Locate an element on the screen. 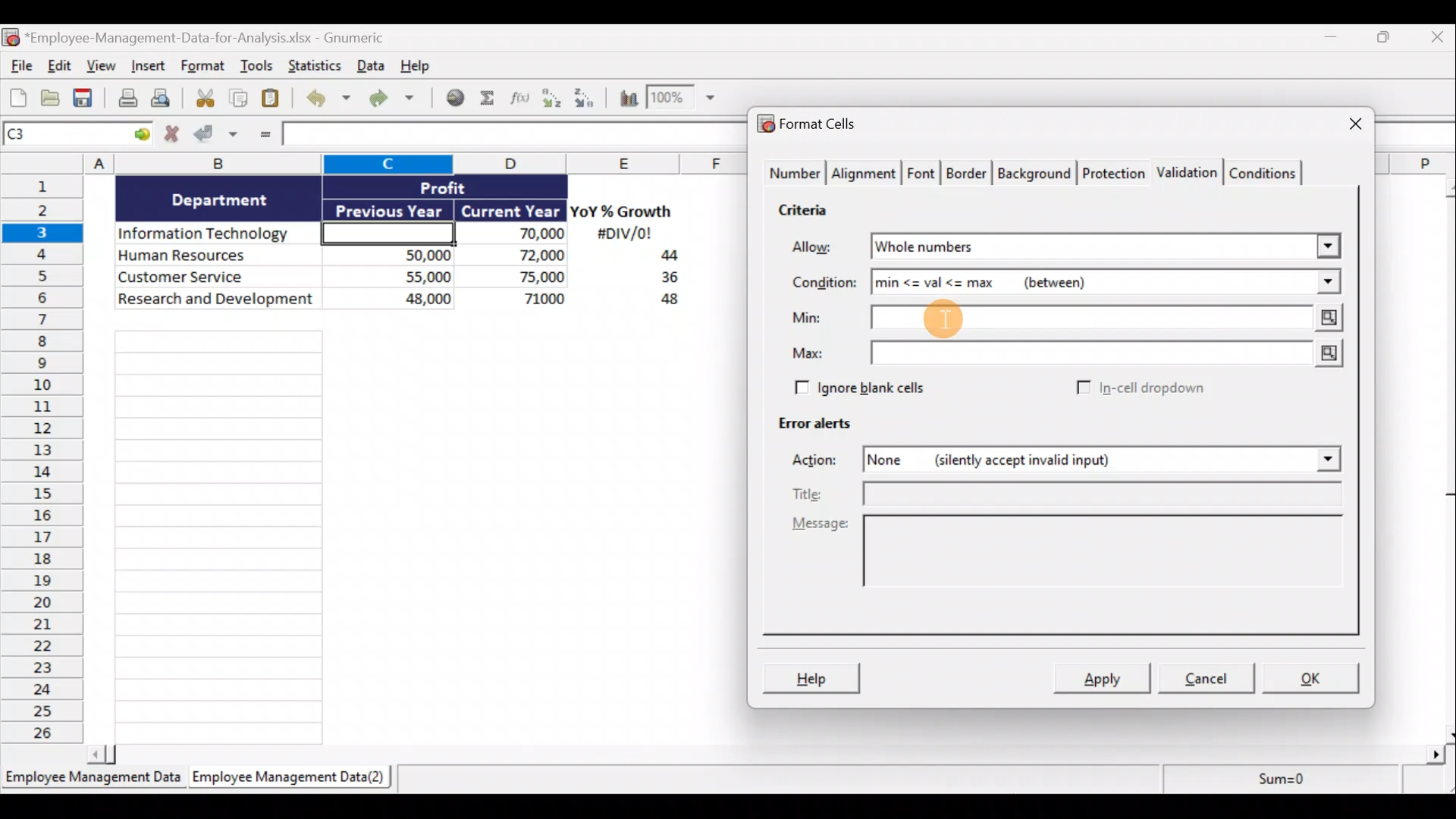 Image resolution: width=1456 pixels, height=819 pixels. Redo undone action is located at coordinates (398, 99).